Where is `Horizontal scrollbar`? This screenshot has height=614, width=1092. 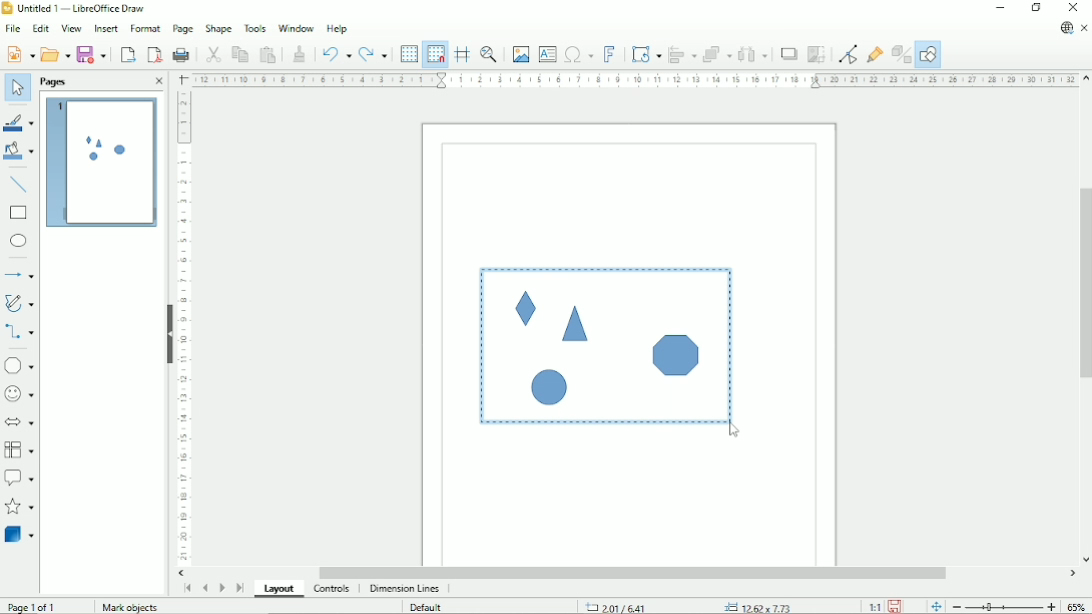
Horizontal scrollbar is located at coordinates (635, 572).